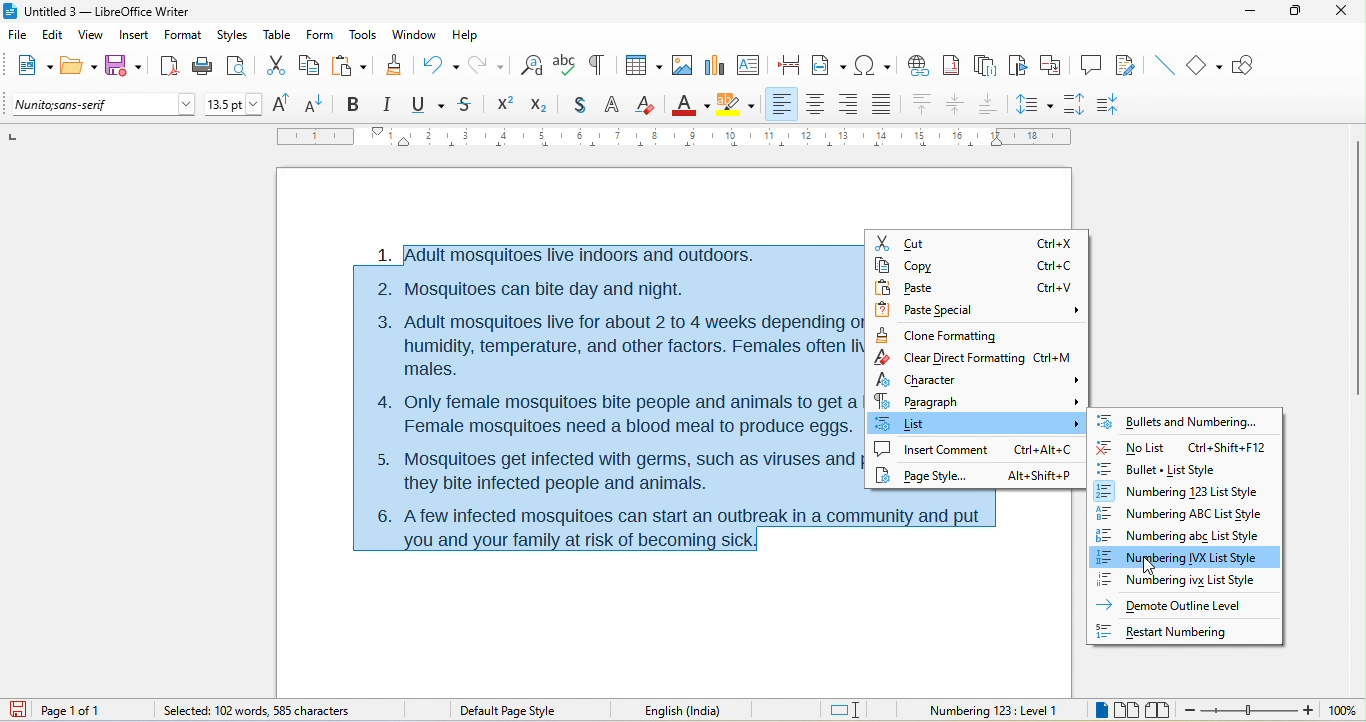 This screenshot has width=1366, height=722. I want to click on align center, so click(956, 106).